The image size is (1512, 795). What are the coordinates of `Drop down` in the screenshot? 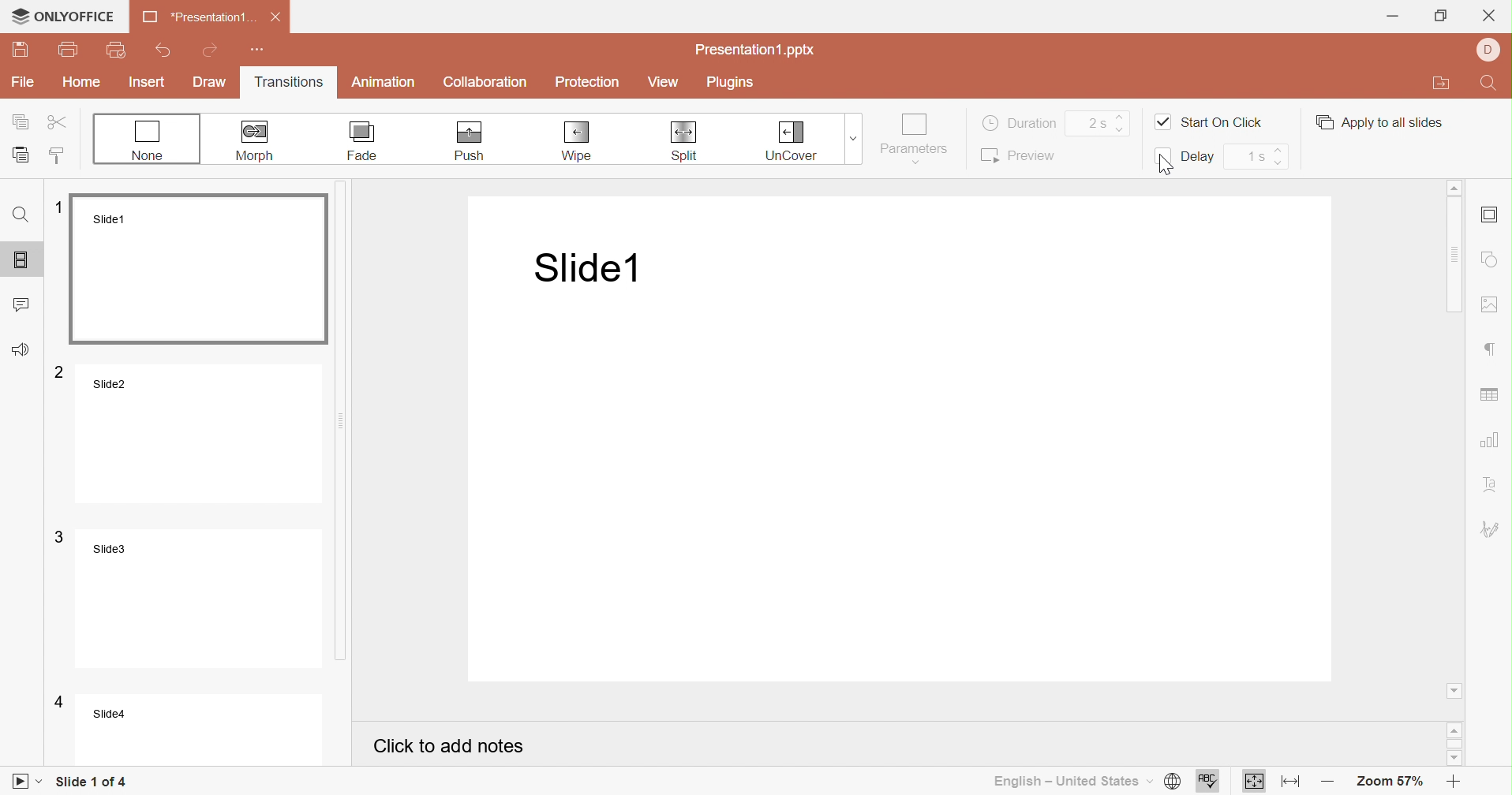 It's located at (851, 136).